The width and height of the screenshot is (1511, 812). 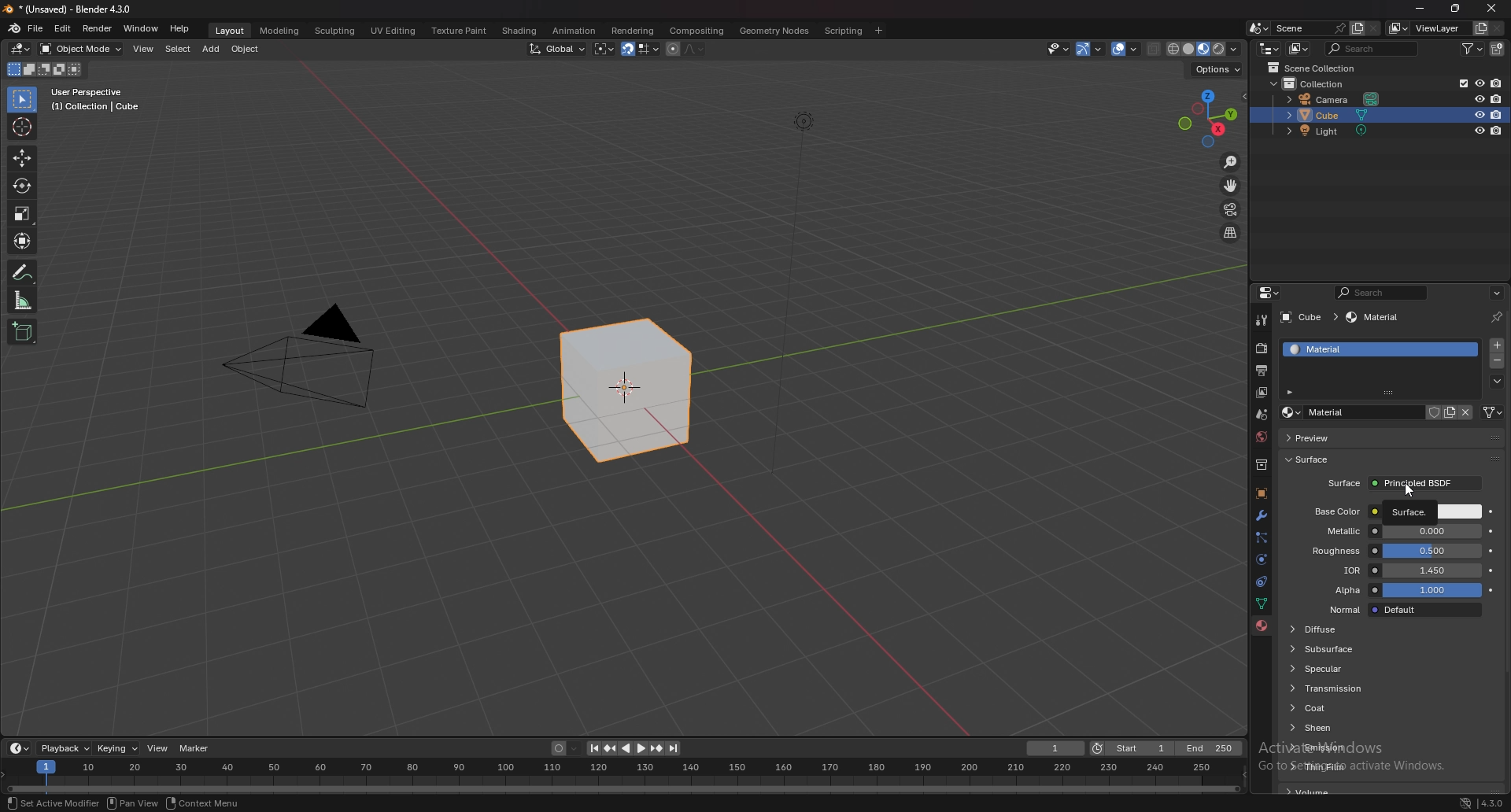 What do you see at coordinates (623, 777) in the screenshot?
I see `seek` at bounding box center [623, 777].